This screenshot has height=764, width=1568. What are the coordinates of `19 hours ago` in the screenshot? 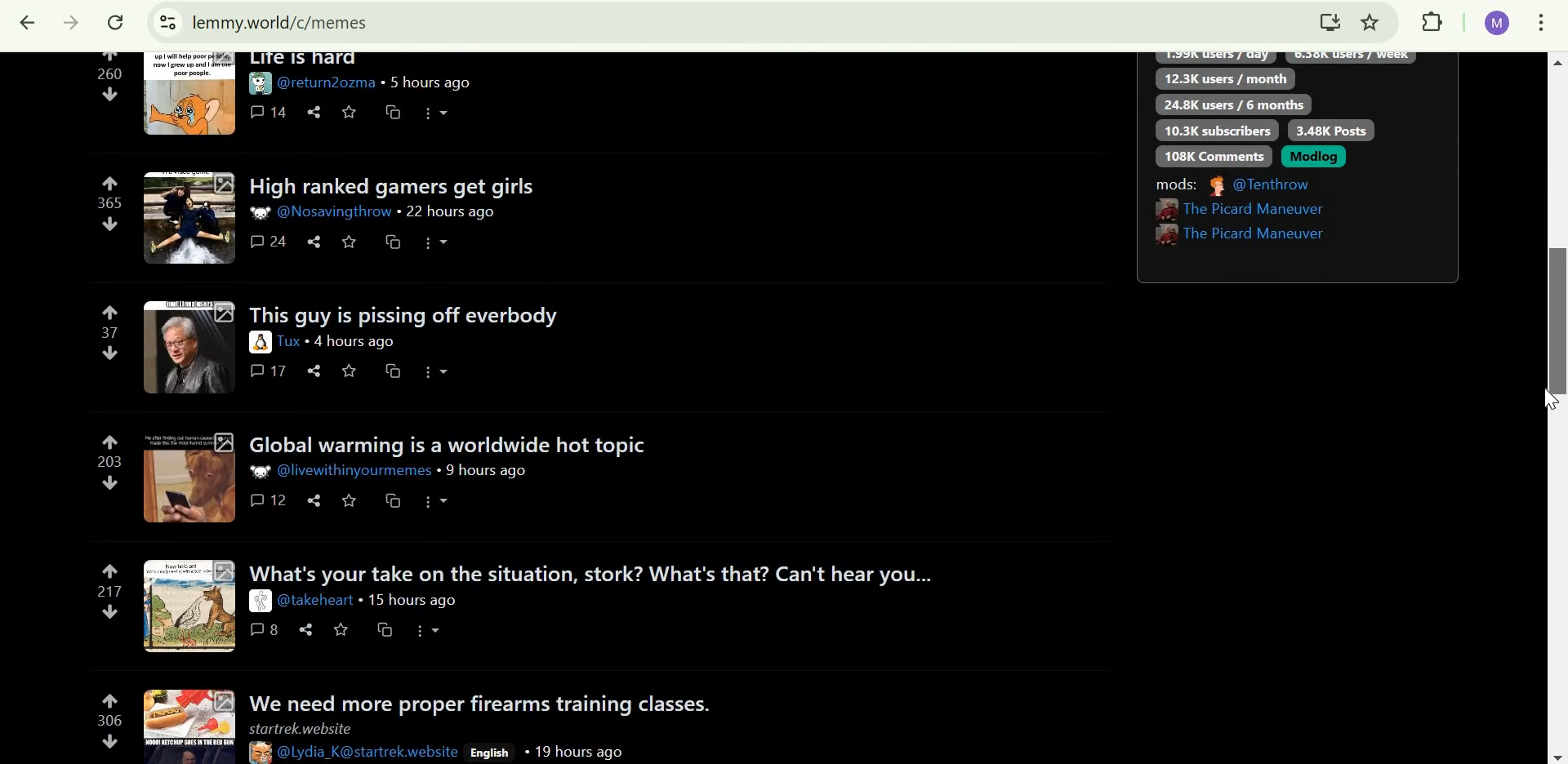 It's located at (572, 751).